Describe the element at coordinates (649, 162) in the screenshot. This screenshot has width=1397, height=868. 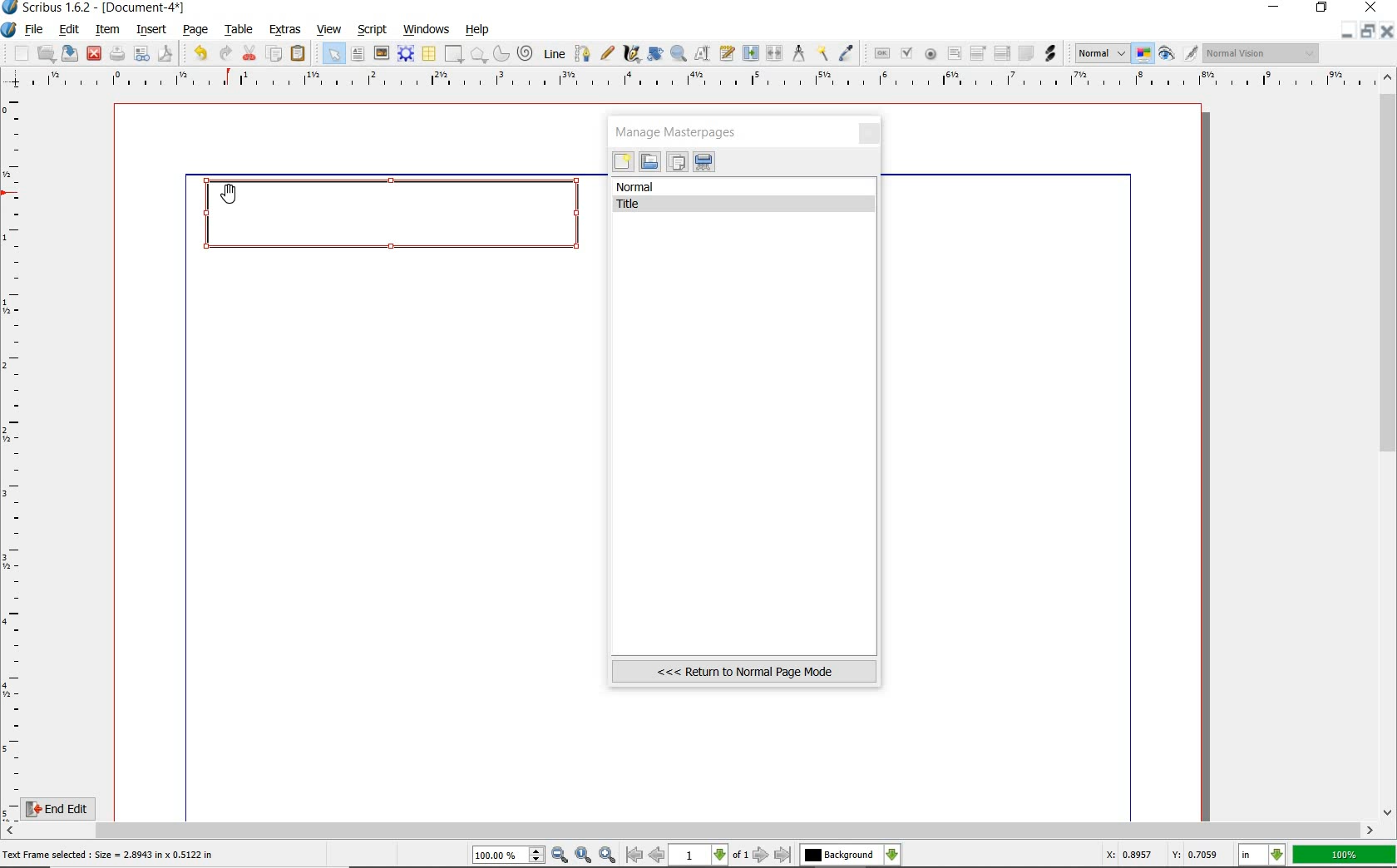
I see `import masterpages` at that location.